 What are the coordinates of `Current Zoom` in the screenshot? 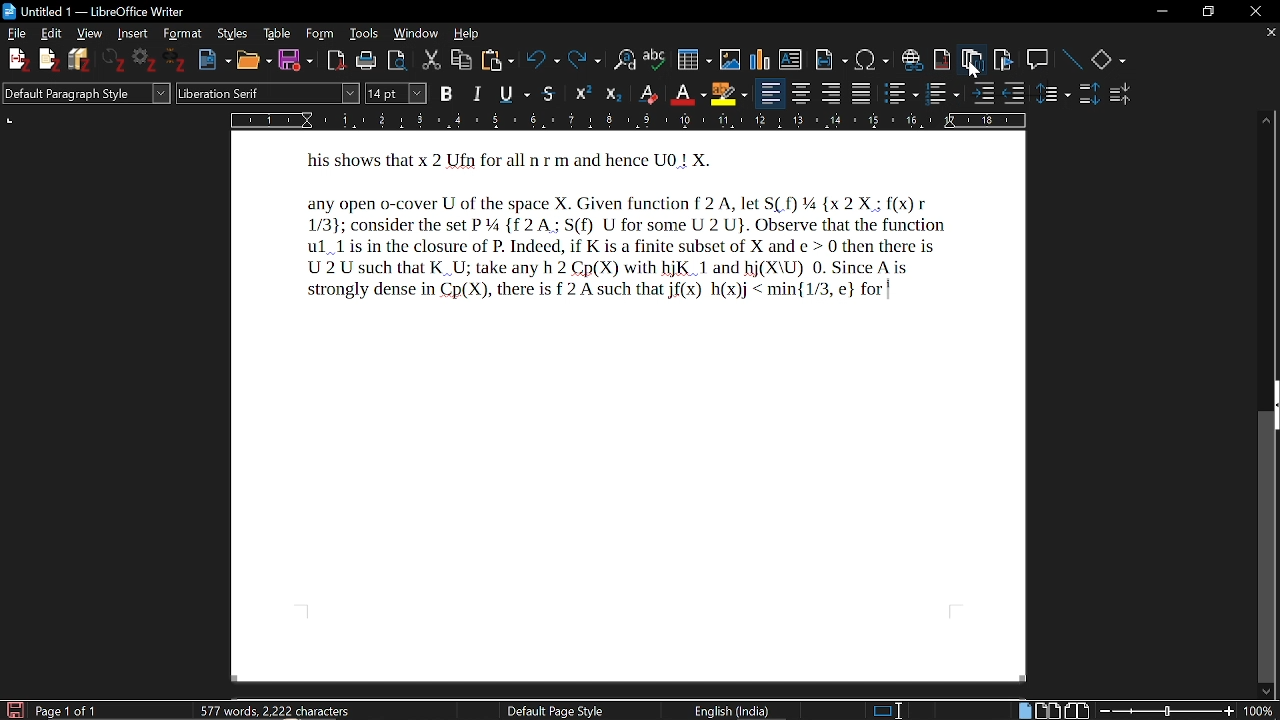 It's located at (1258, 711).